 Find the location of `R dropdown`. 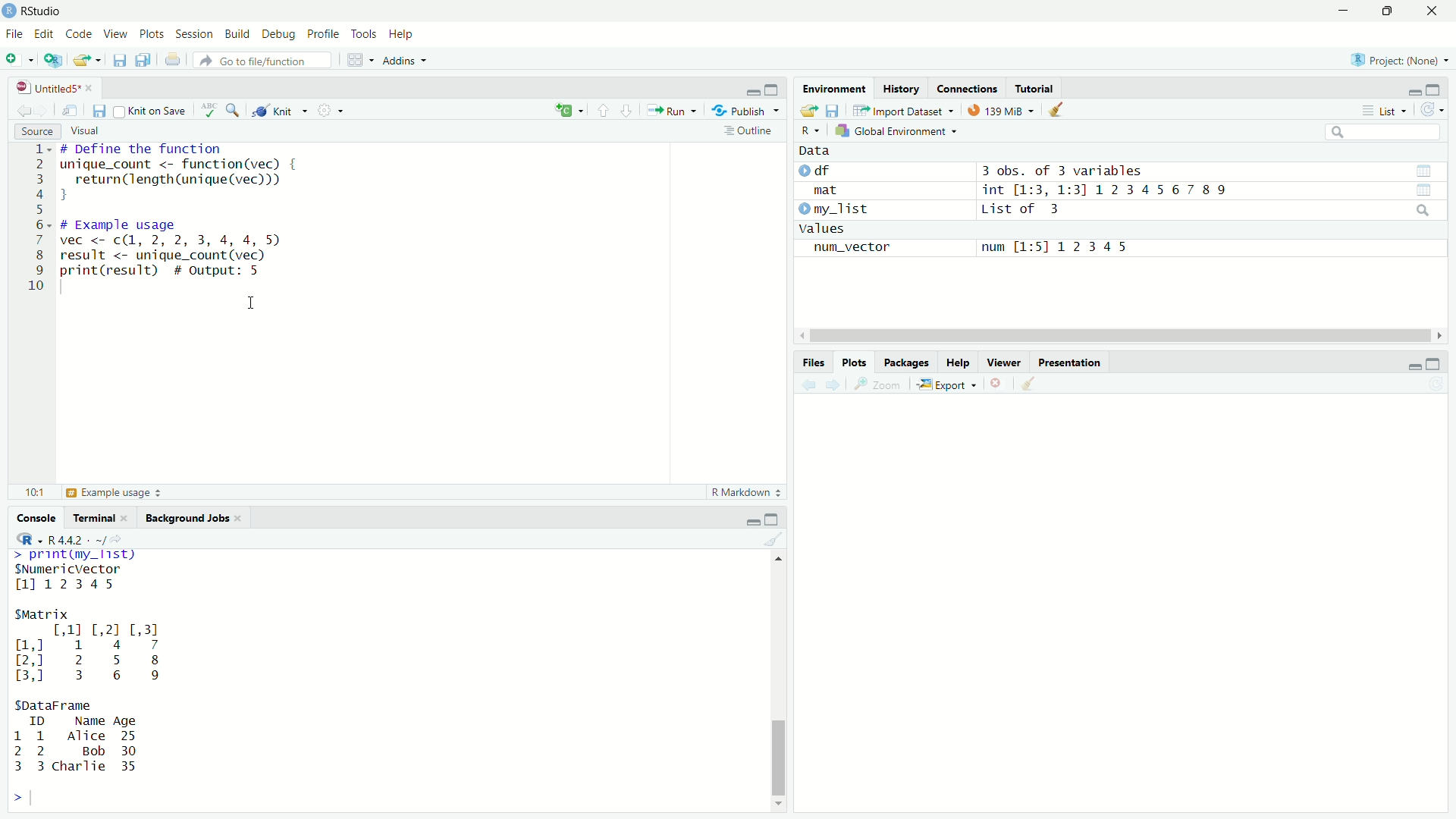

R dropdown is located at coordinates (814, 127).